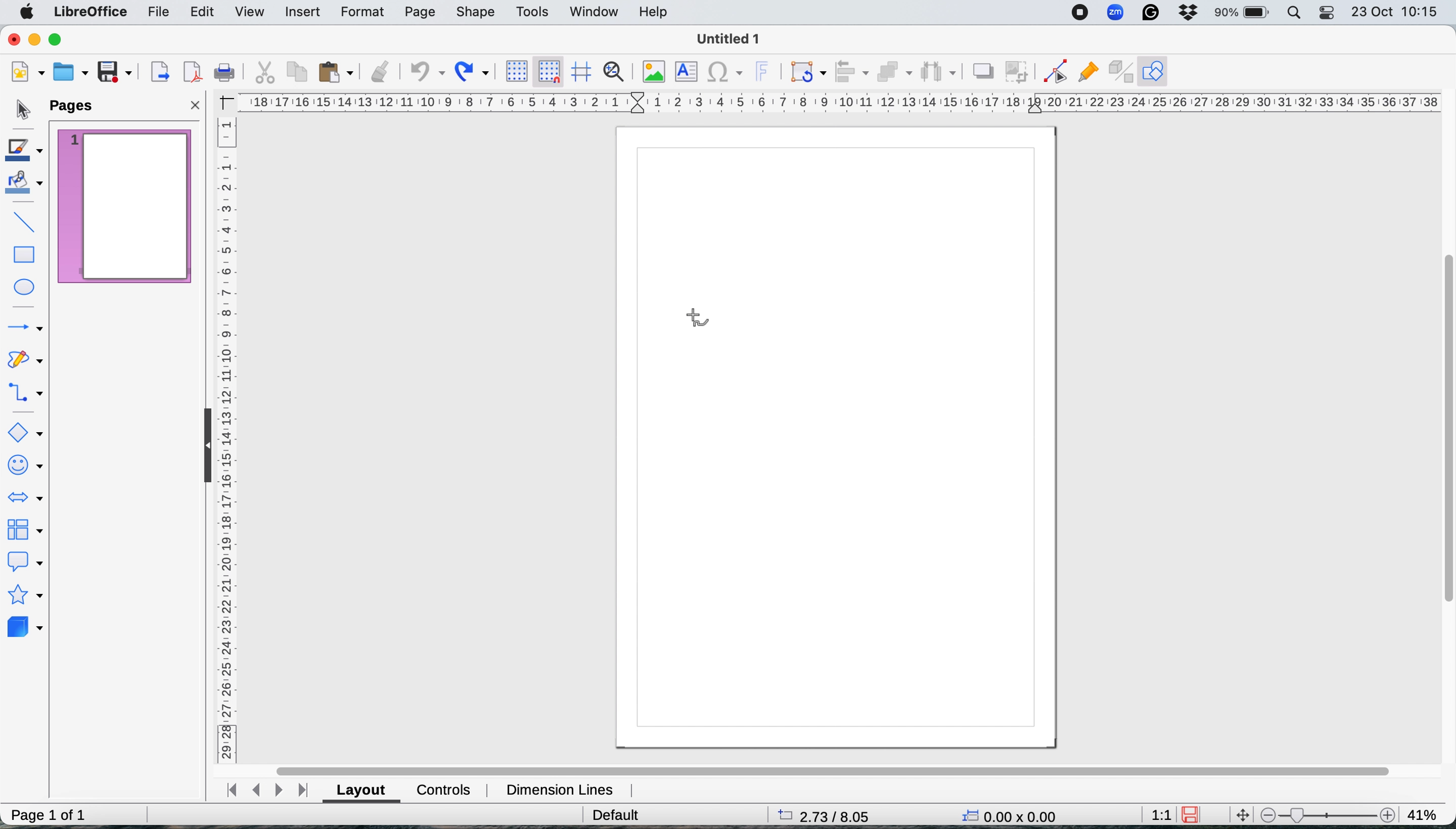 Image resolution: width=1456 pixels, height=829 pixels. Describe the element at coordinates (24, 327) in the screenshot. I see `lines and arrows` at that location.